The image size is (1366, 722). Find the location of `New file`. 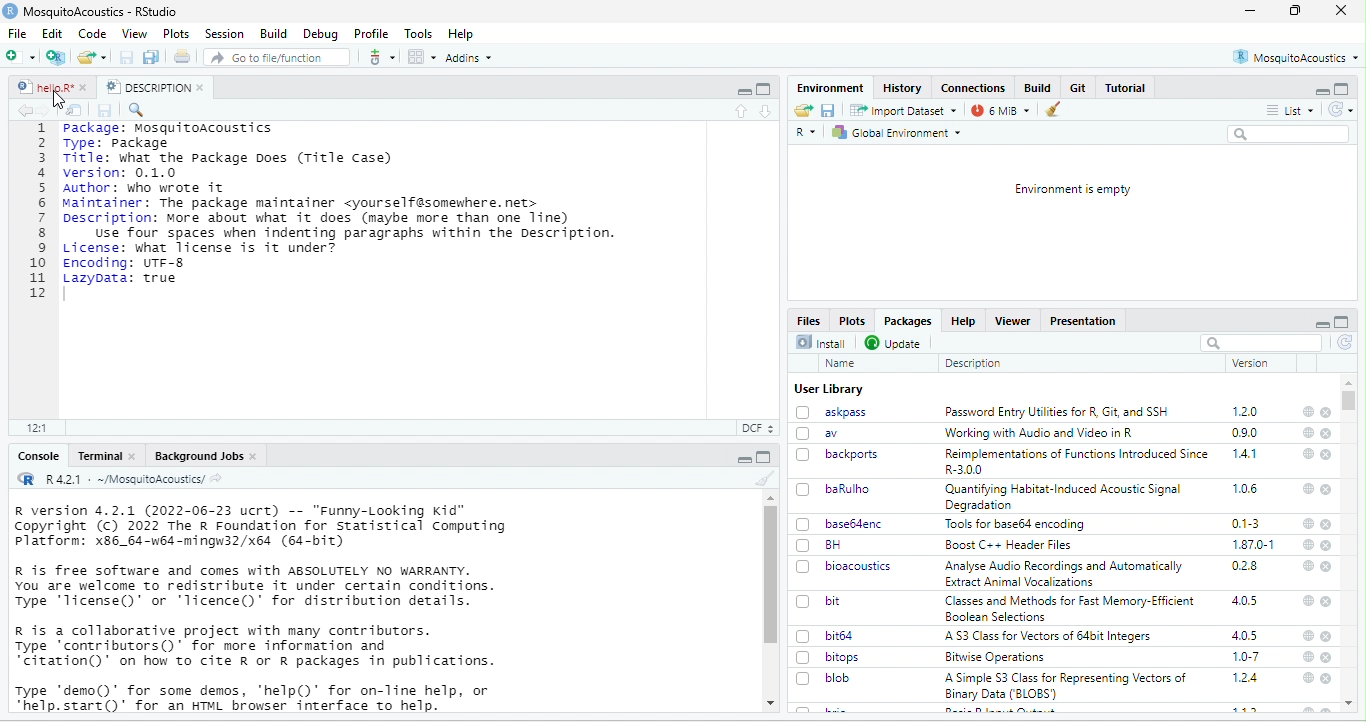

New file is located at coordinates (24, 56).